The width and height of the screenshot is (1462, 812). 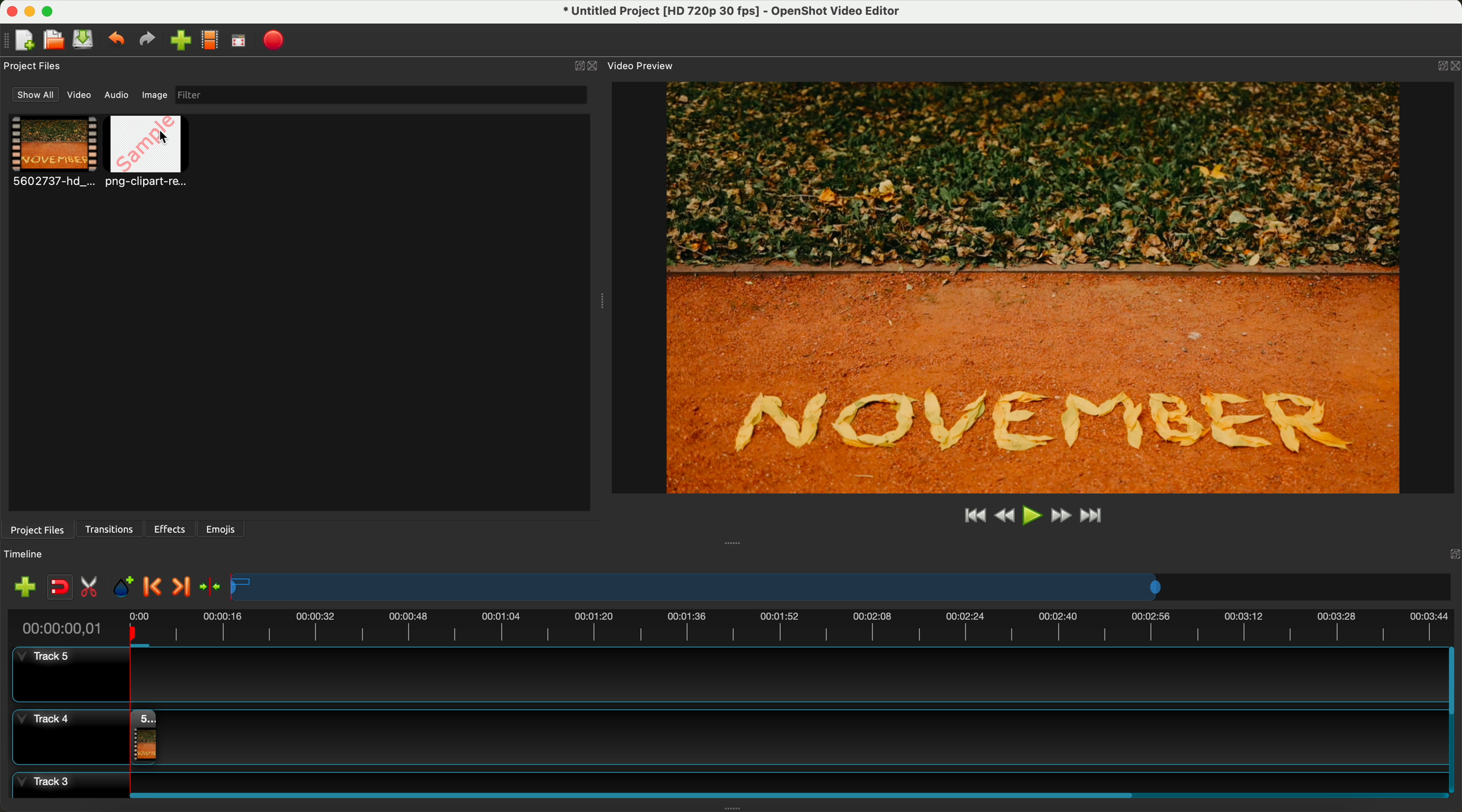 What do you see at coordinates (1003, 517) in the screenshot?
I see `rewind` at bounding box center [1003, 517].